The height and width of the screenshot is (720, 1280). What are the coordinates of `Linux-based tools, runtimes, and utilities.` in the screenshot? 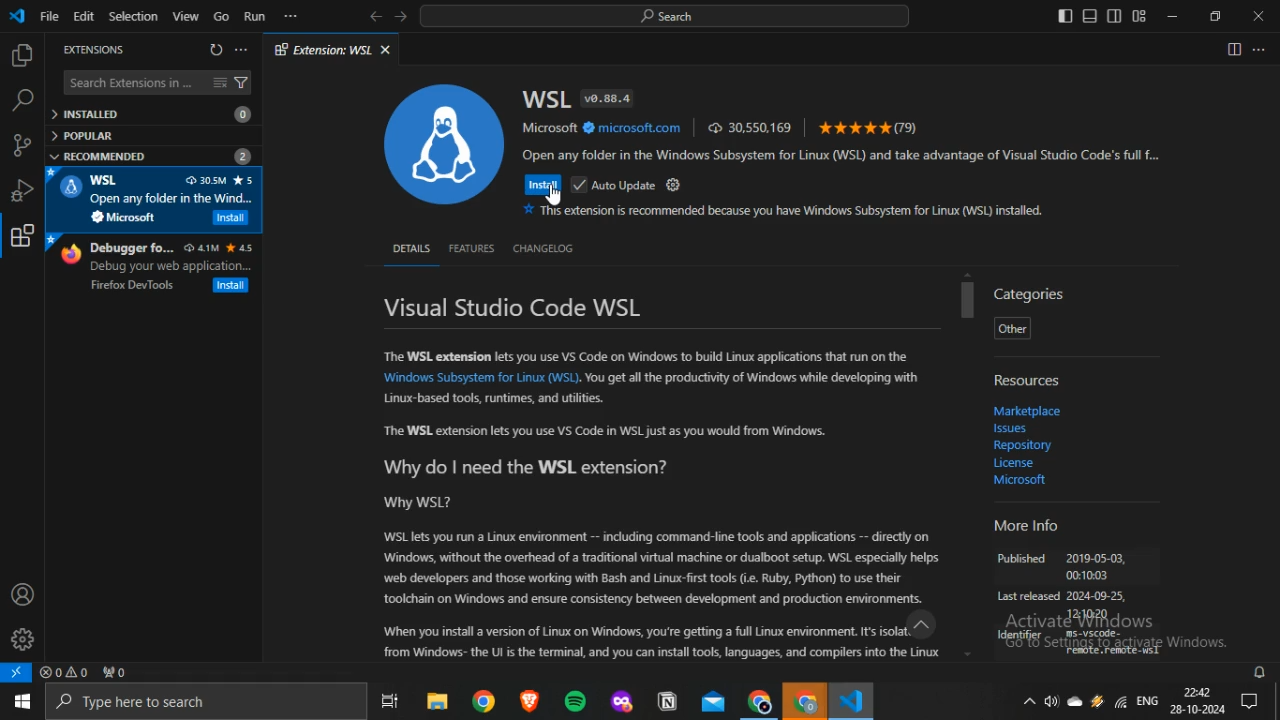 It's located at (494, 399).